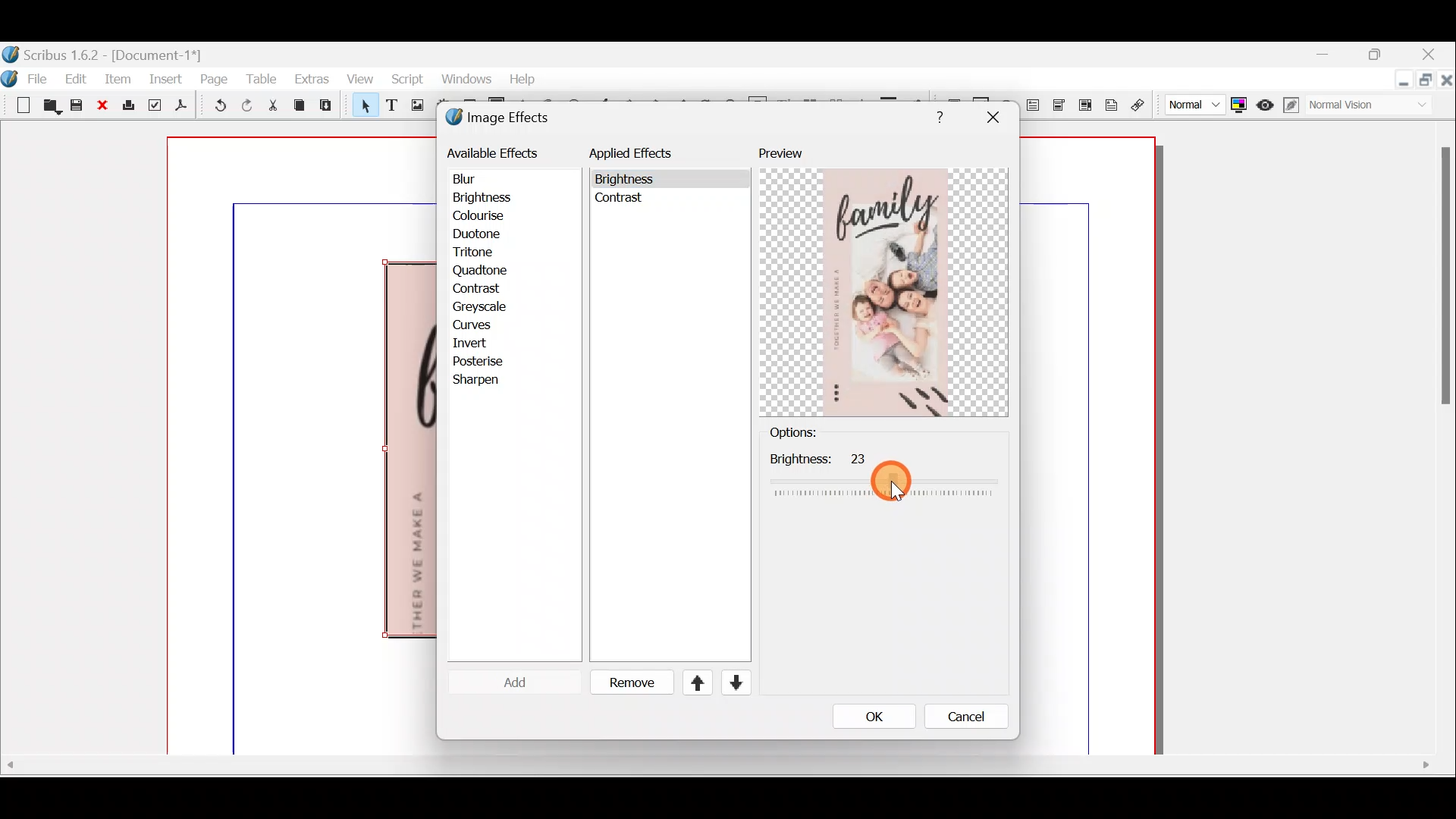 The image size is (1456, 819). I want to click on canvas, so click(1089, 447).